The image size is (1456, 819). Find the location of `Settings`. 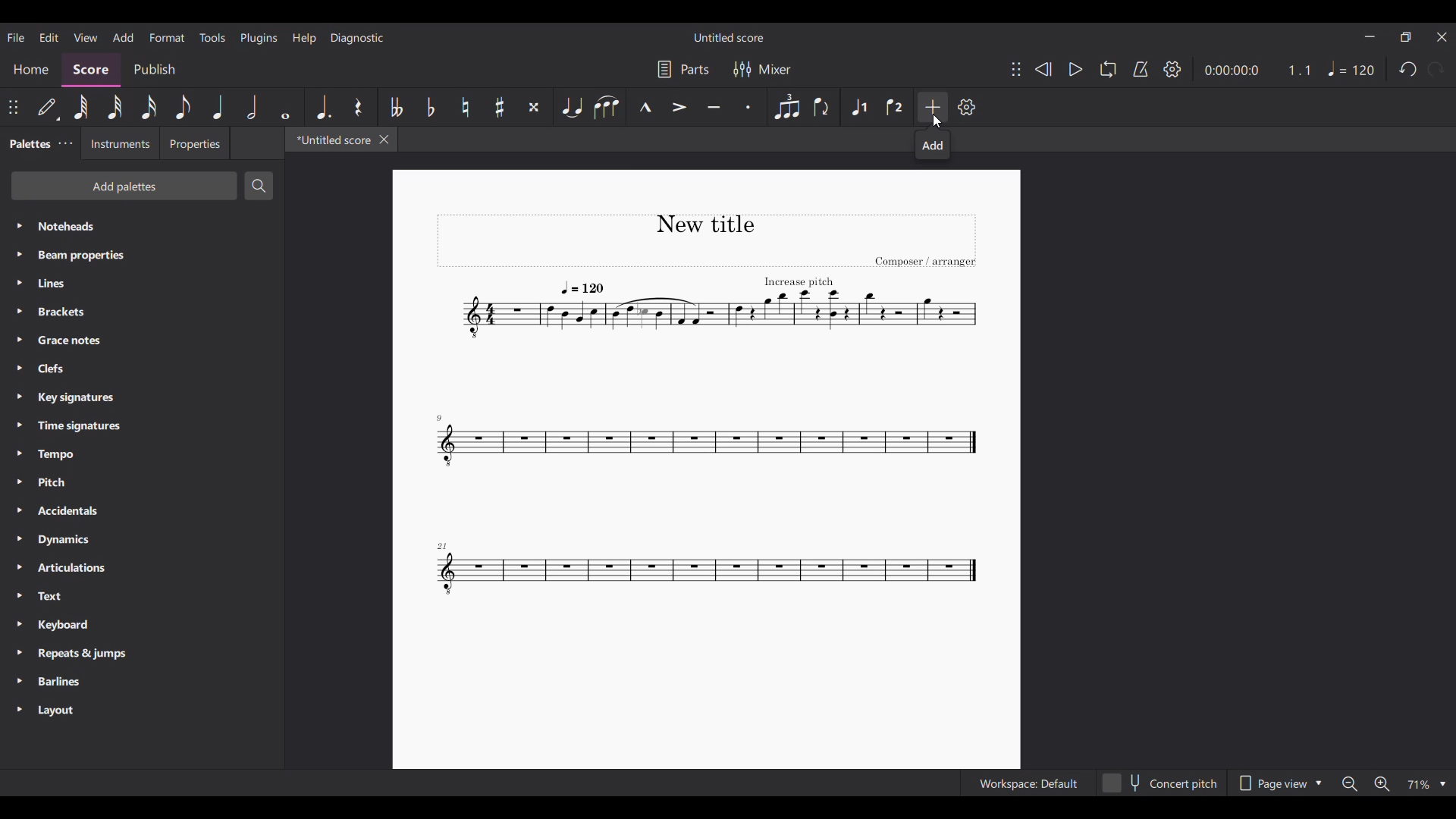

Settings is located at coordinates (1172, 69).